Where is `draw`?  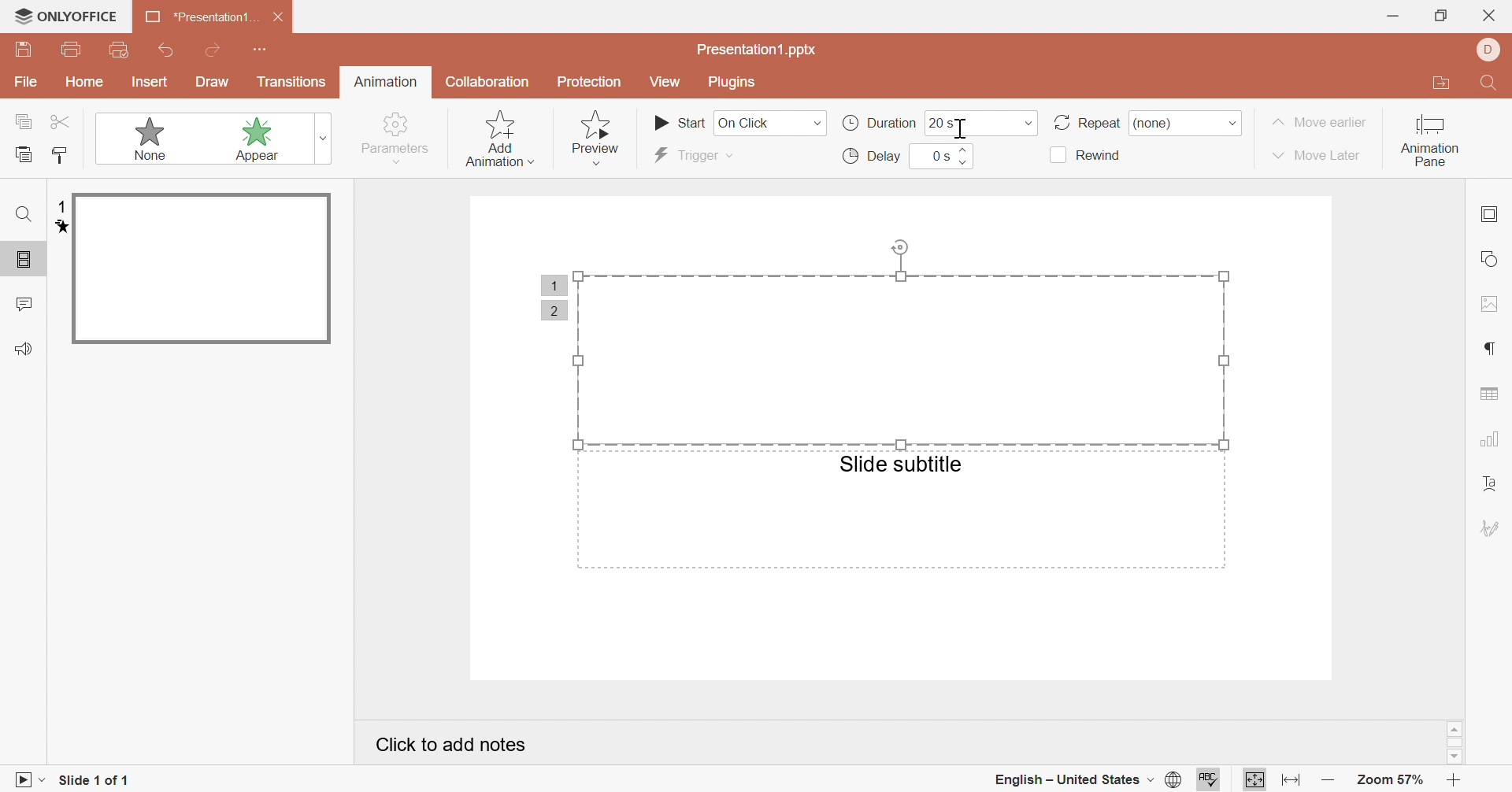 draw is located at coordinates (212, 82).